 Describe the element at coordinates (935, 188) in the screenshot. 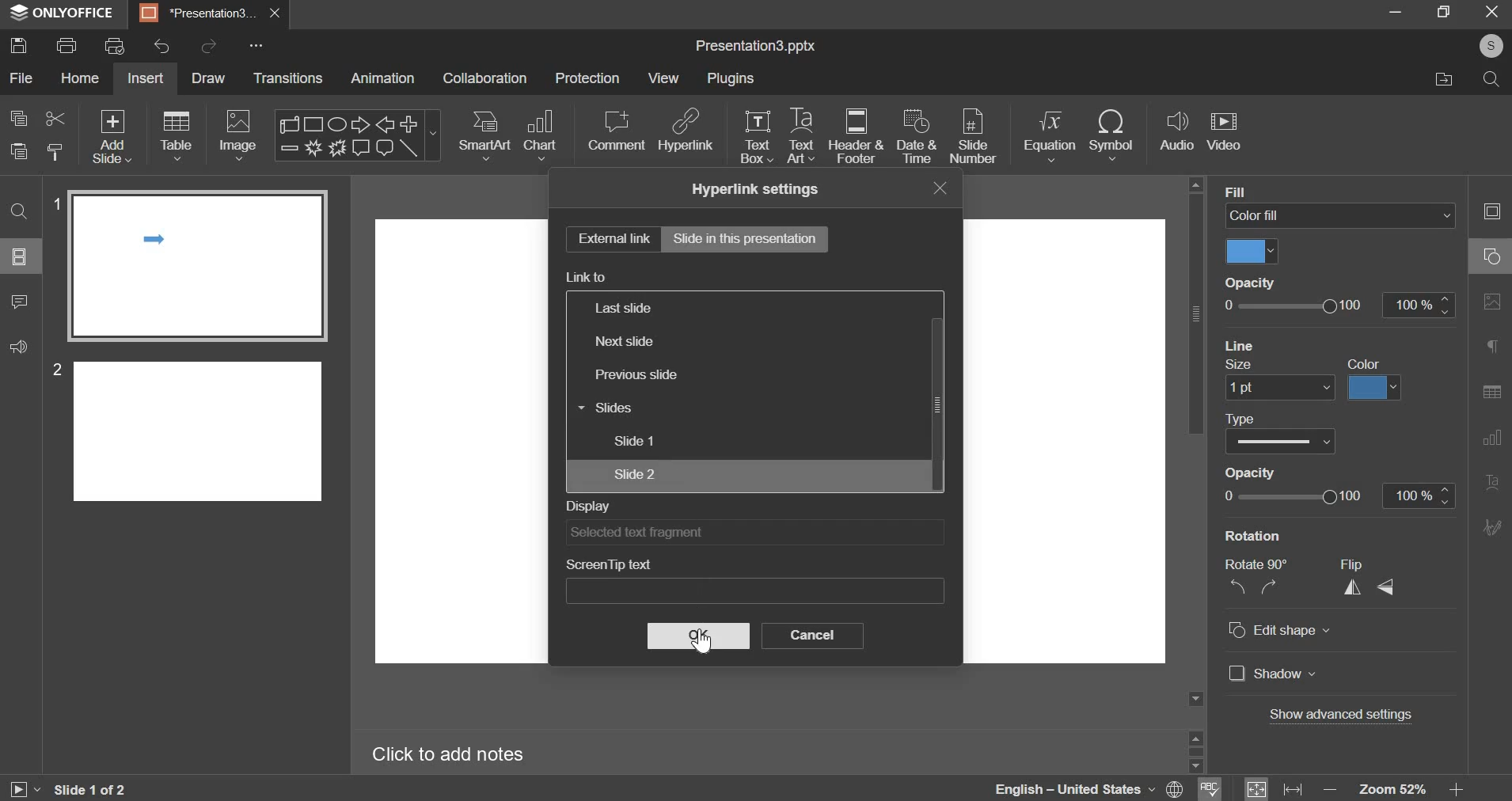

I see `Close` at that location.